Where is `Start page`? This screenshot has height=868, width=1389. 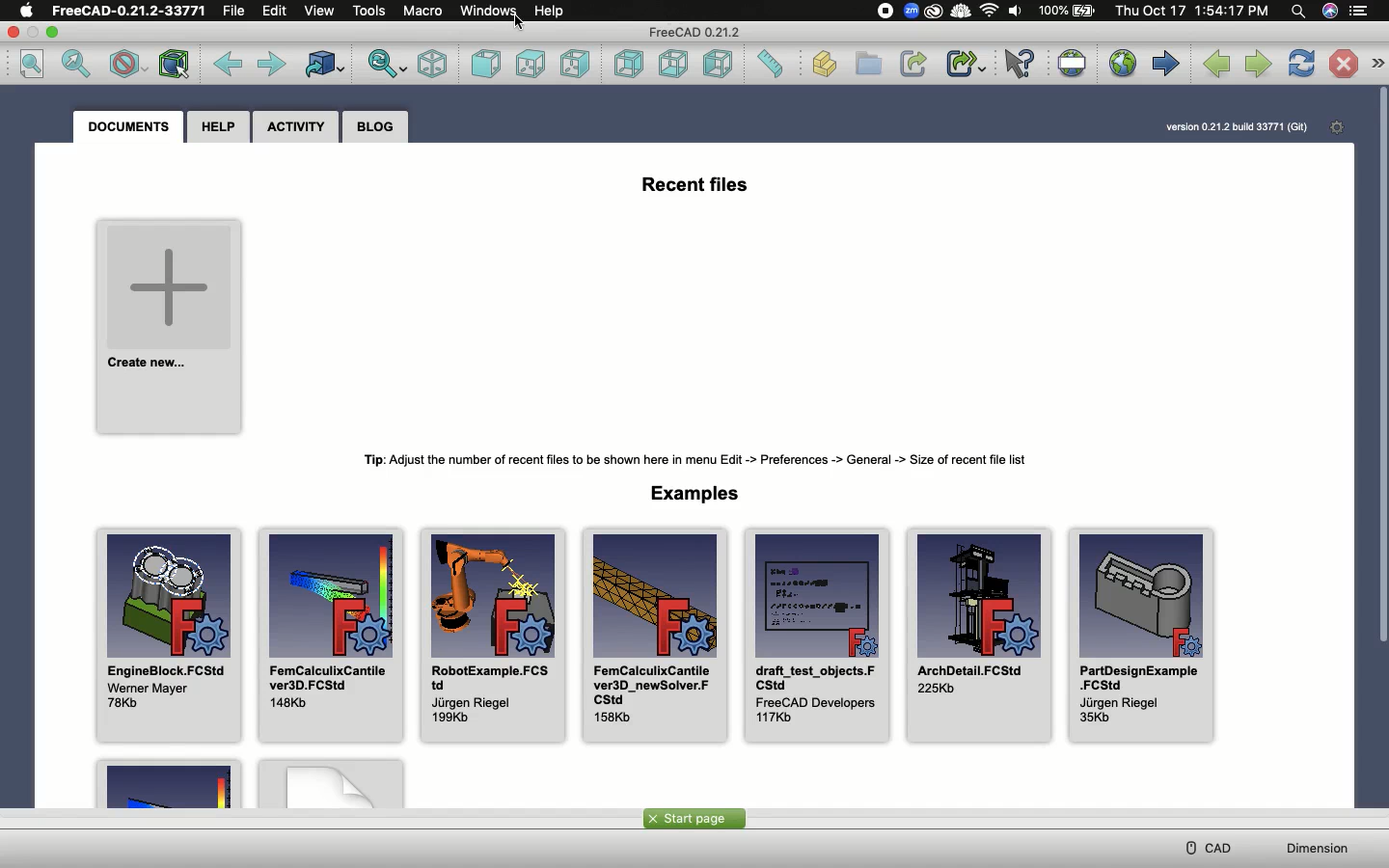
Start page is located at coordinates (693, 818).